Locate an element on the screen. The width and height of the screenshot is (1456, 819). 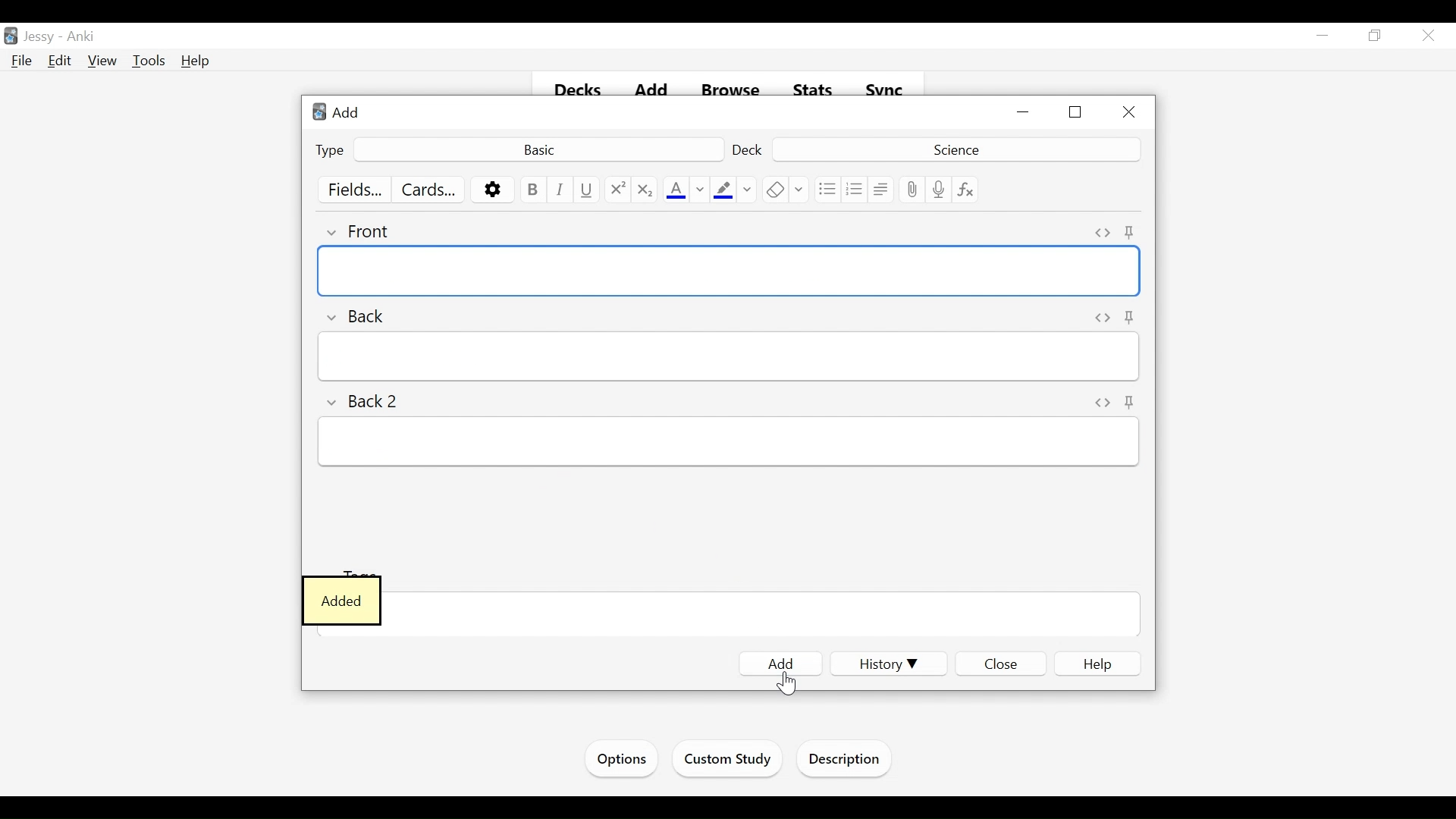
cursor is located at coordinates (781, 686).